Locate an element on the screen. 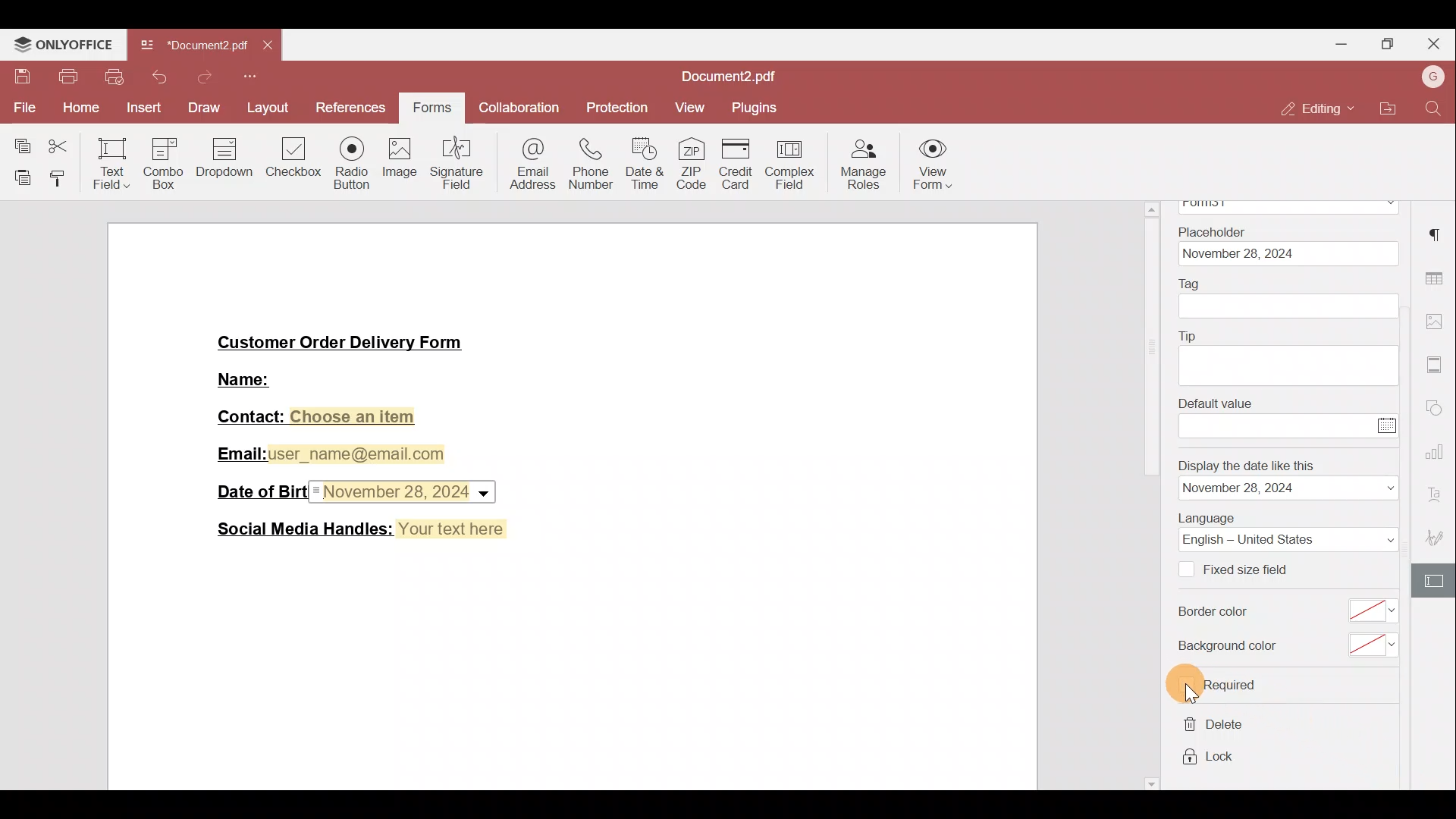  Date & time is located at coordinates (645, 164).